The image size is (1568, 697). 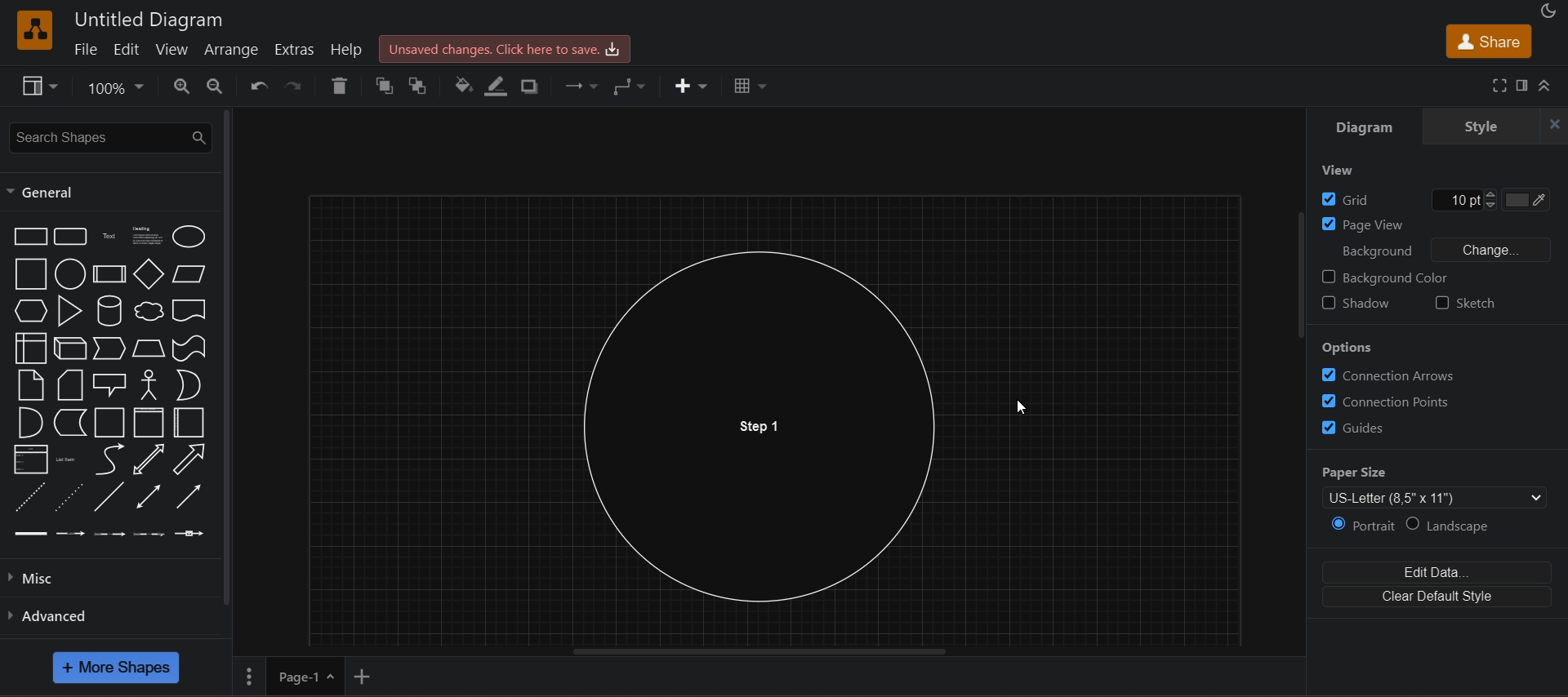 What do you see at coordinates (212, 88) in the screenshot?
I see `zoom in` at bounding box center [212, 88].